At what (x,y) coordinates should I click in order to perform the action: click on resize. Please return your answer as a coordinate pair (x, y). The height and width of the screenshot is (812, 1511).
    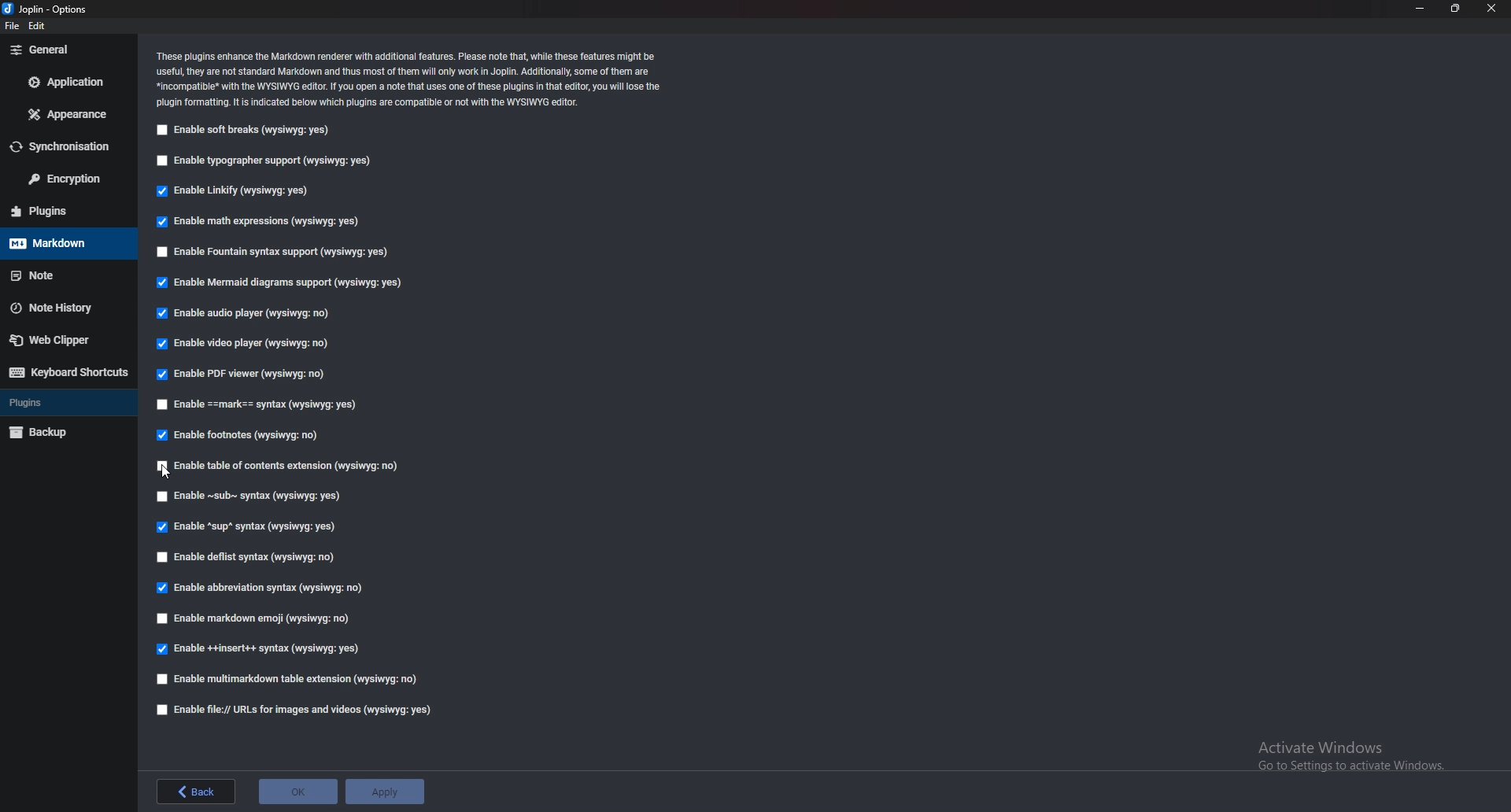
    Looking at the image, I should click on (1454, 8).